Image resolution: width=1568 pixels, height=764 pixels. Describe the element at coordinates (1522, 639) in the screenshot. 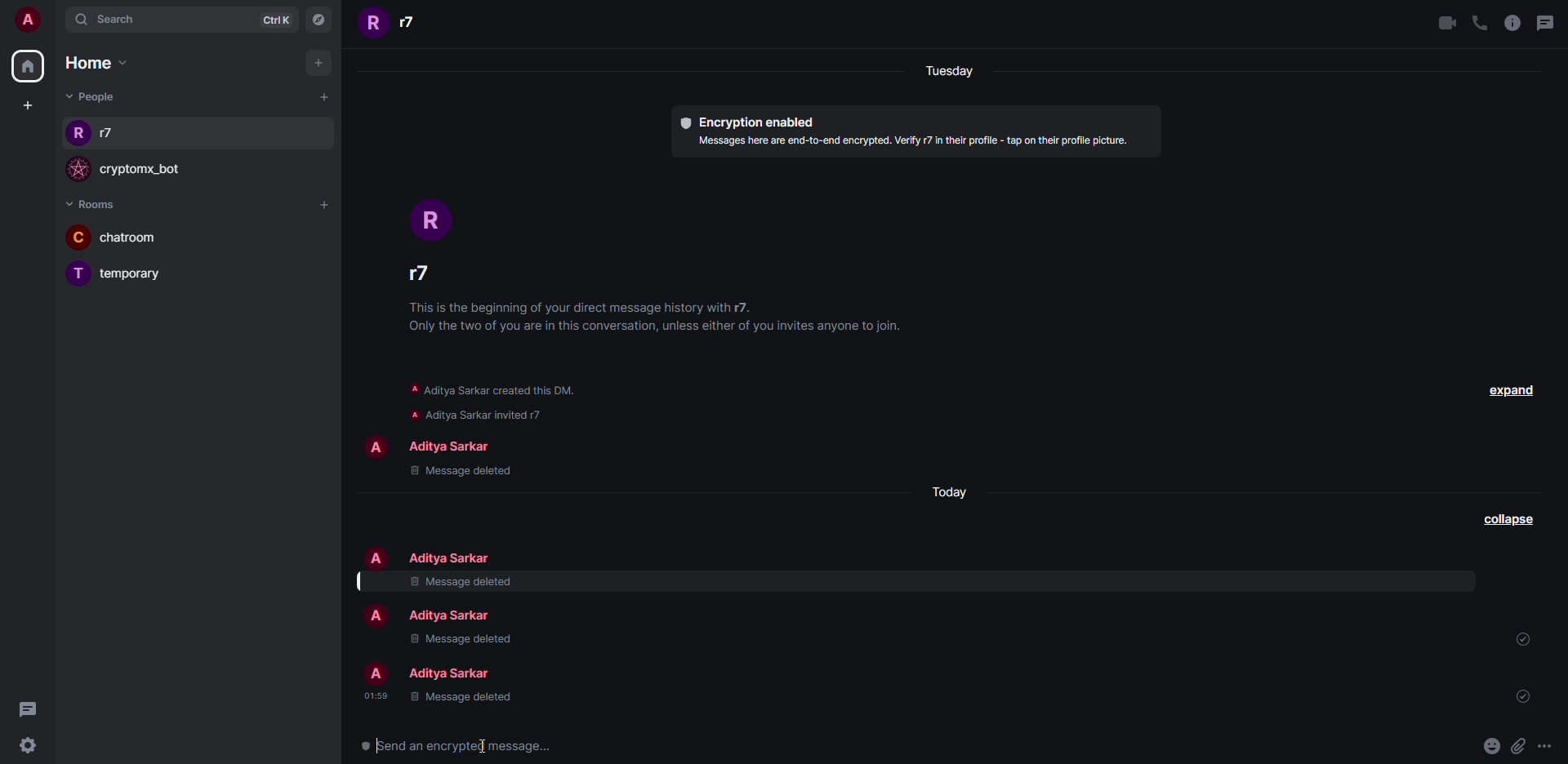

I see `sent` at that location.